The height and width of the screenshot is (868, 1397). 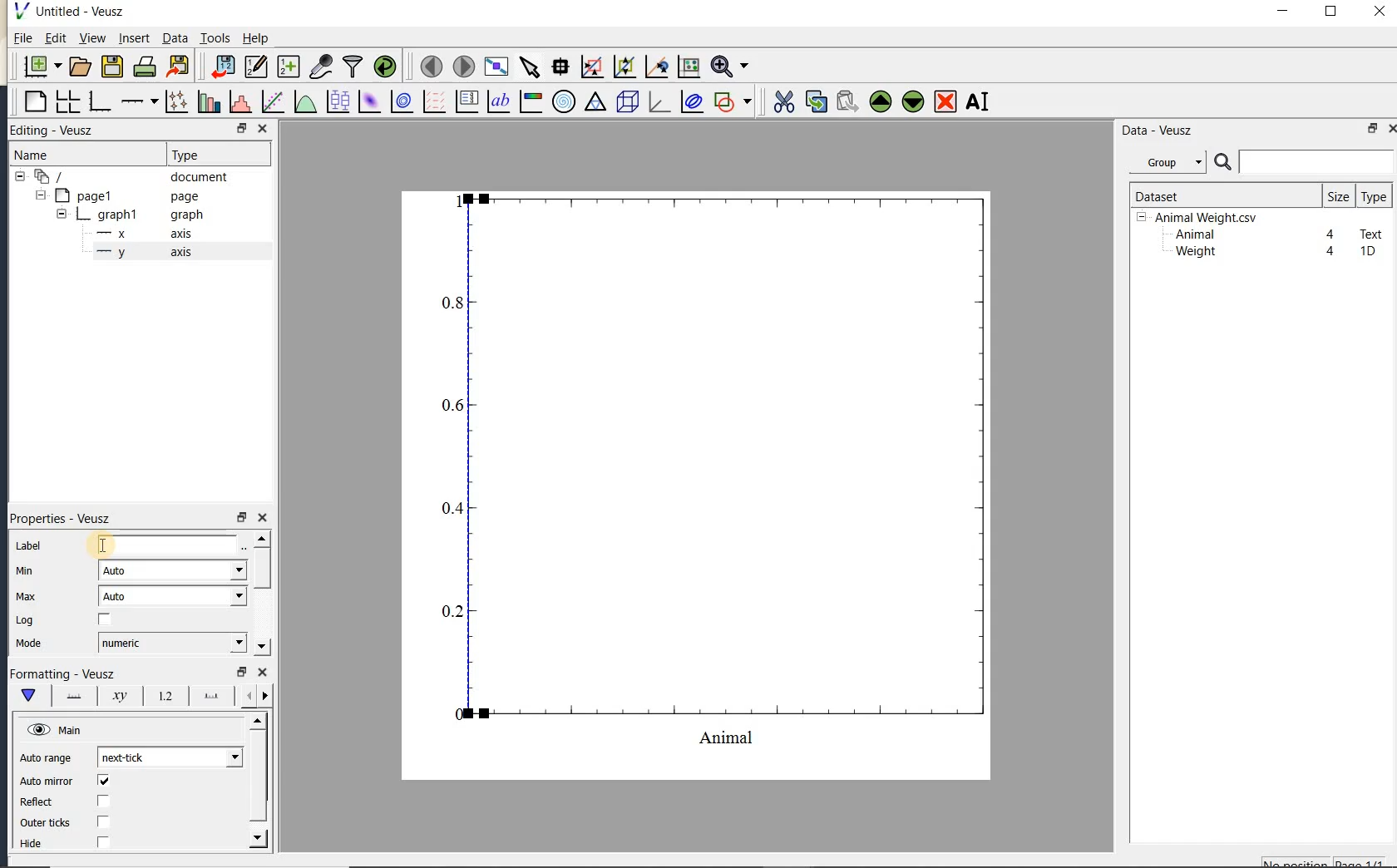 I want to click on page1, so click(x=119, y=197).